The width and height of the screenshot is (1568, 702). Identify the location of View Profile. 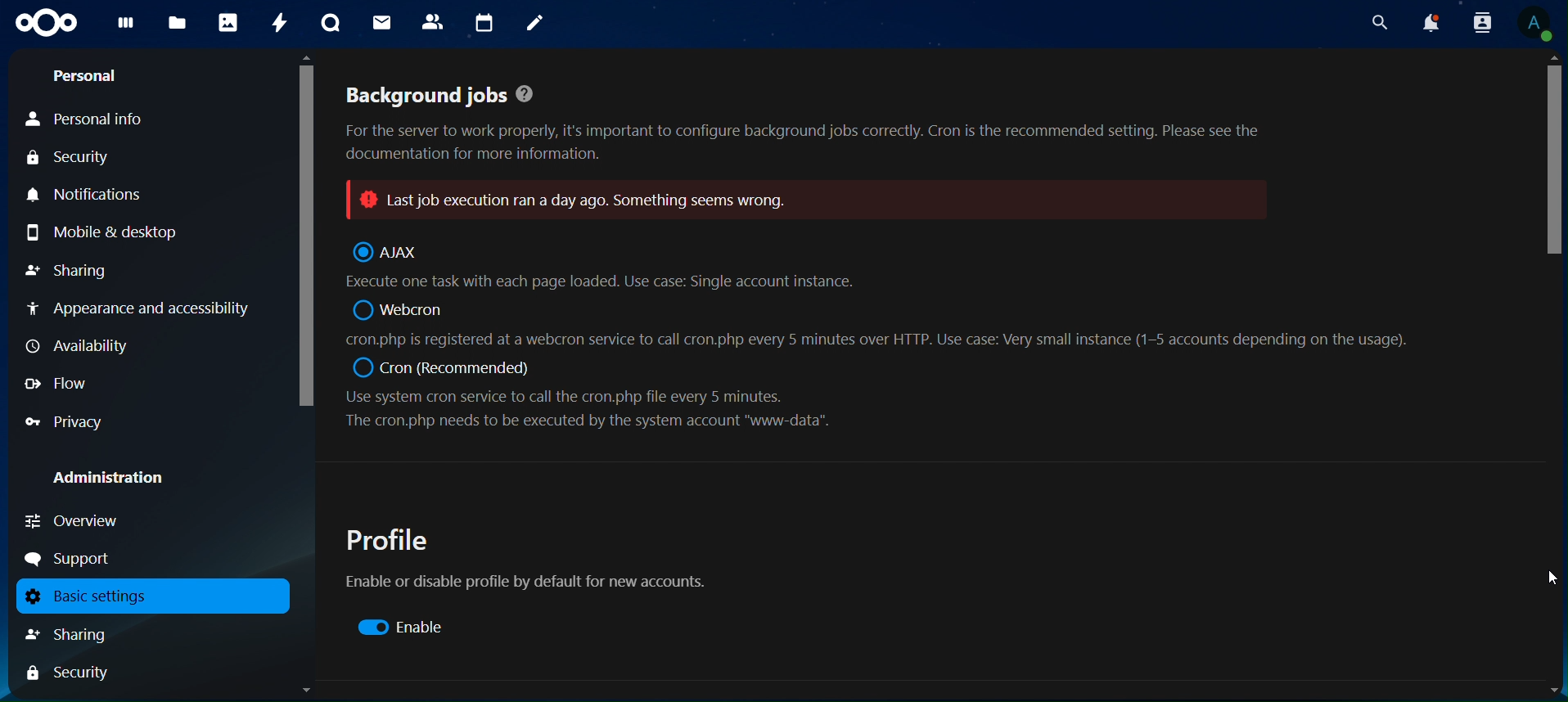
(1537, 26).